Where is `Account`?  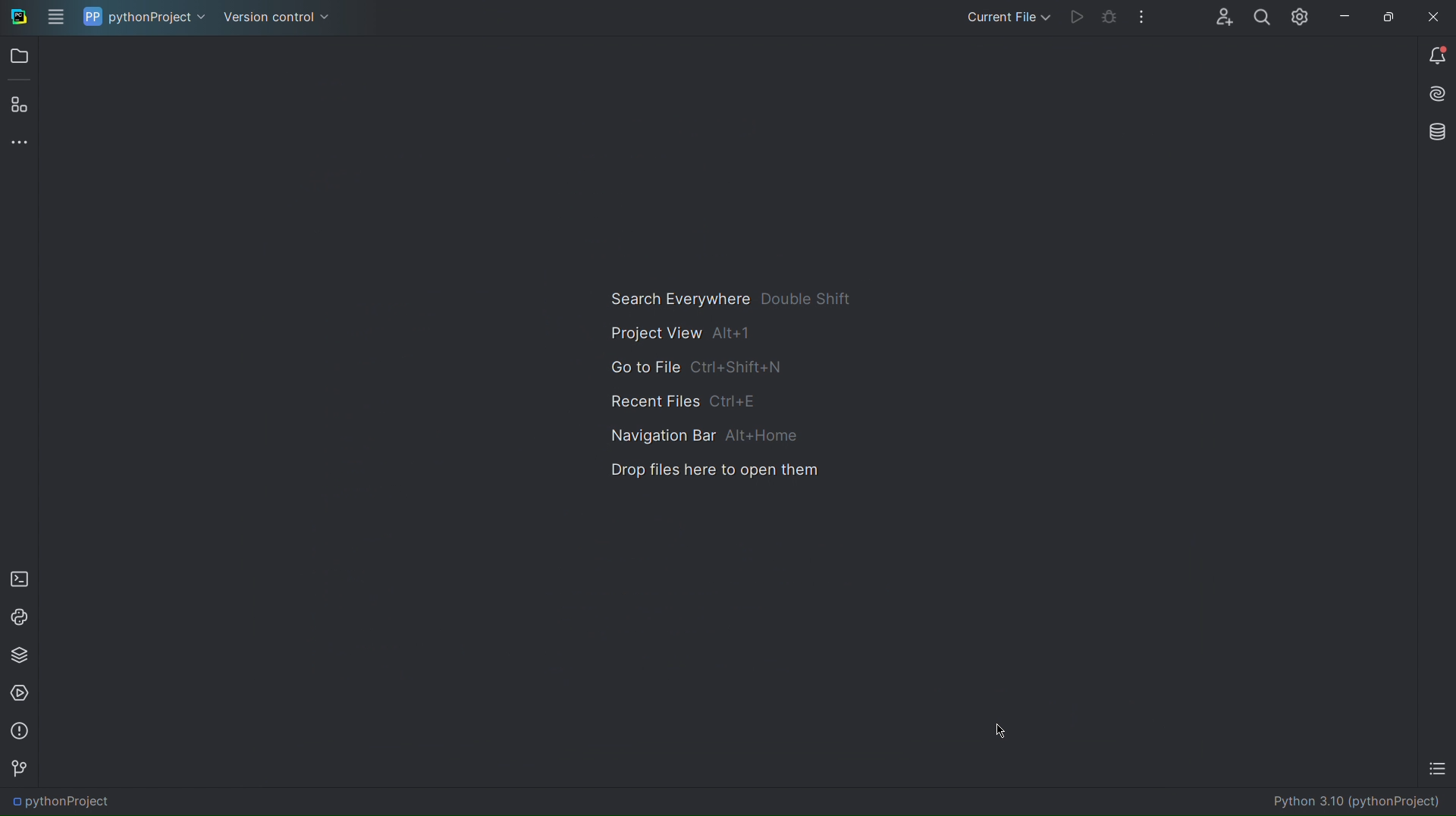
Account is located at coordinates (1217, 17).